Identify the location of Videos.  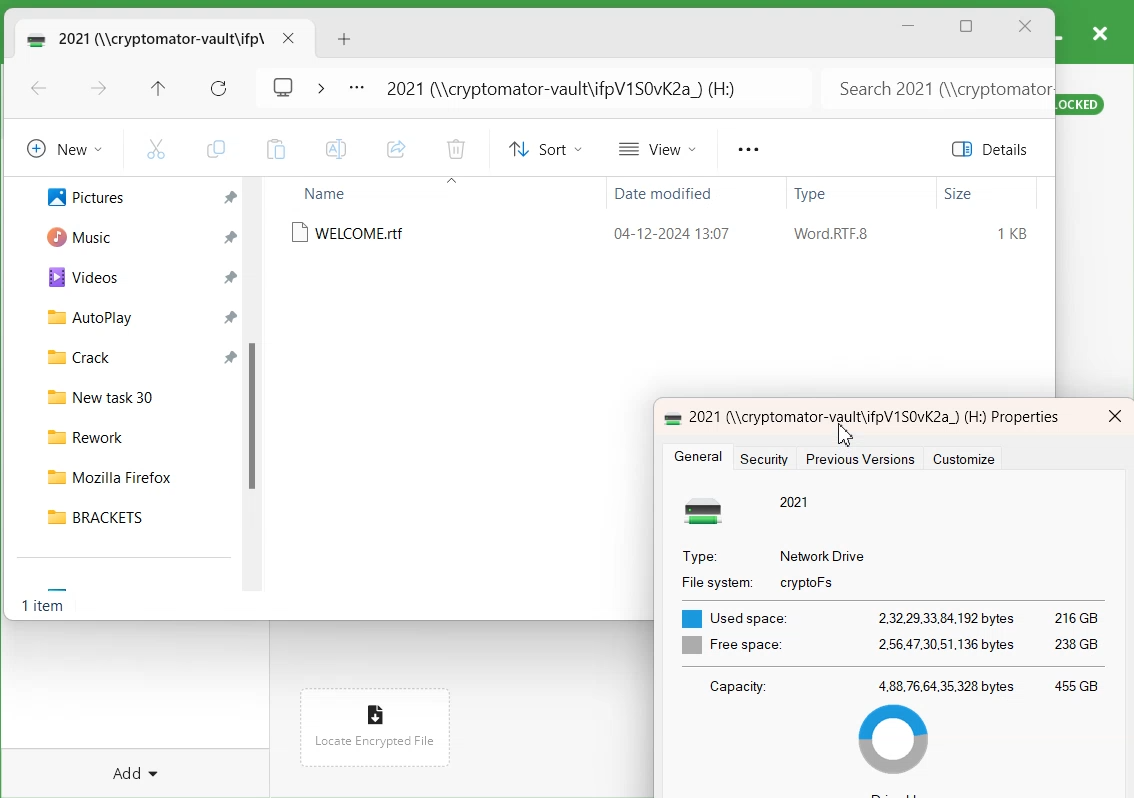
(75, 276).